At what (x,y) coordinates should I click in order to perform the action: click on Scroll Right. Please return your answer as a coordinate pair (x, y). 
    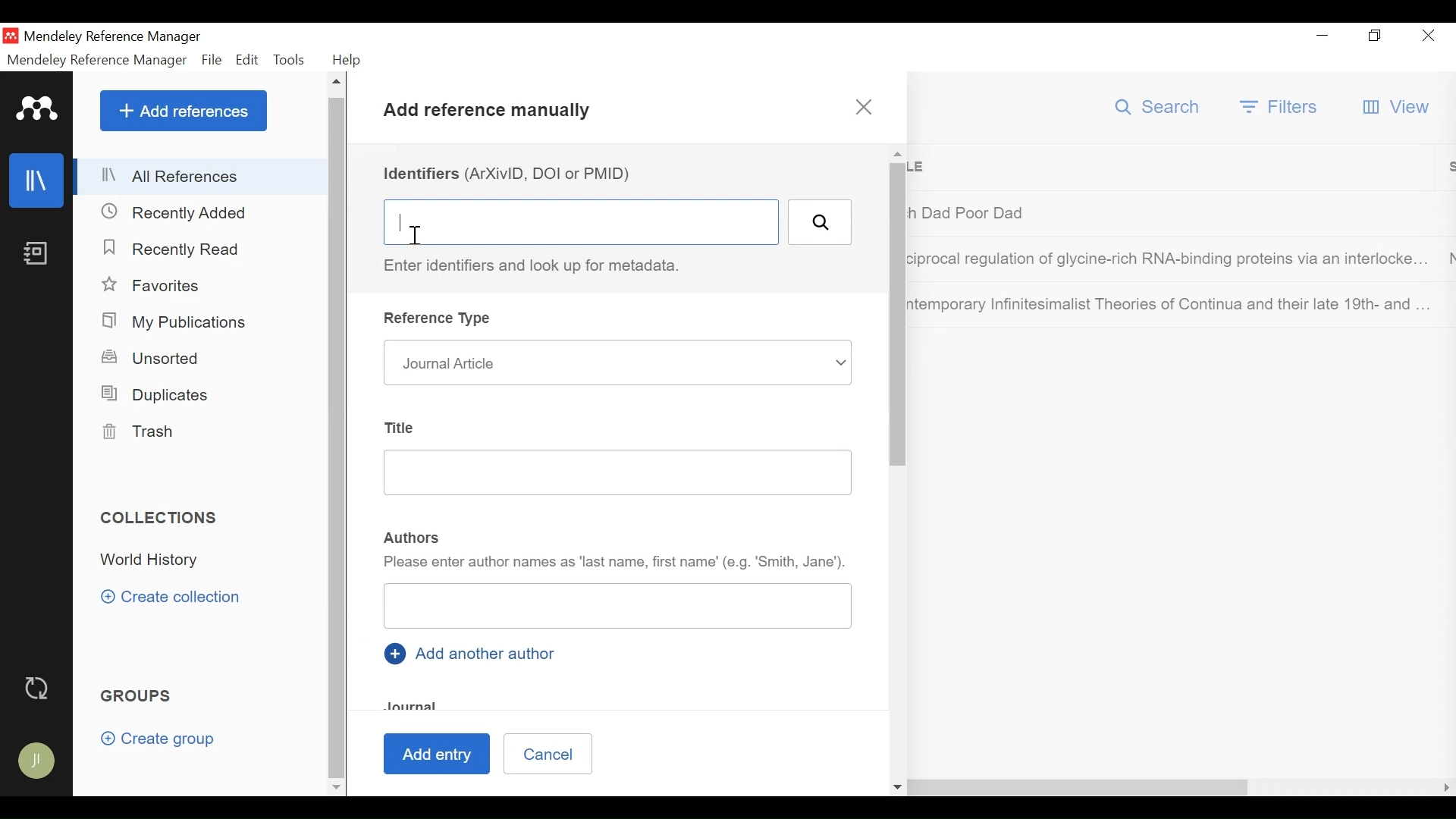
    Looking at the image, I should click on (1445, 788).